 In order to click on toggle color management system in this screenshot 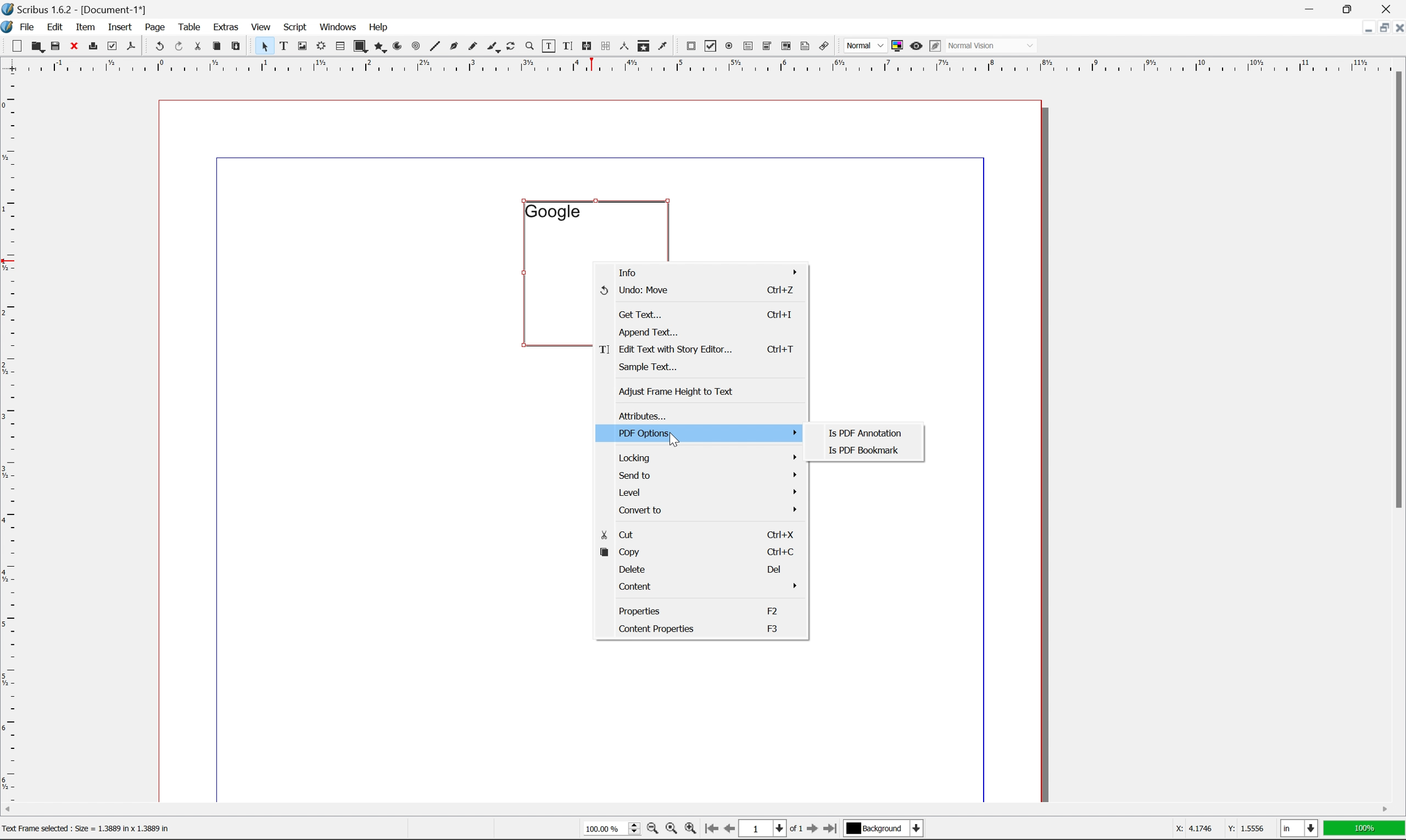, I will do `click(895, 45)`.